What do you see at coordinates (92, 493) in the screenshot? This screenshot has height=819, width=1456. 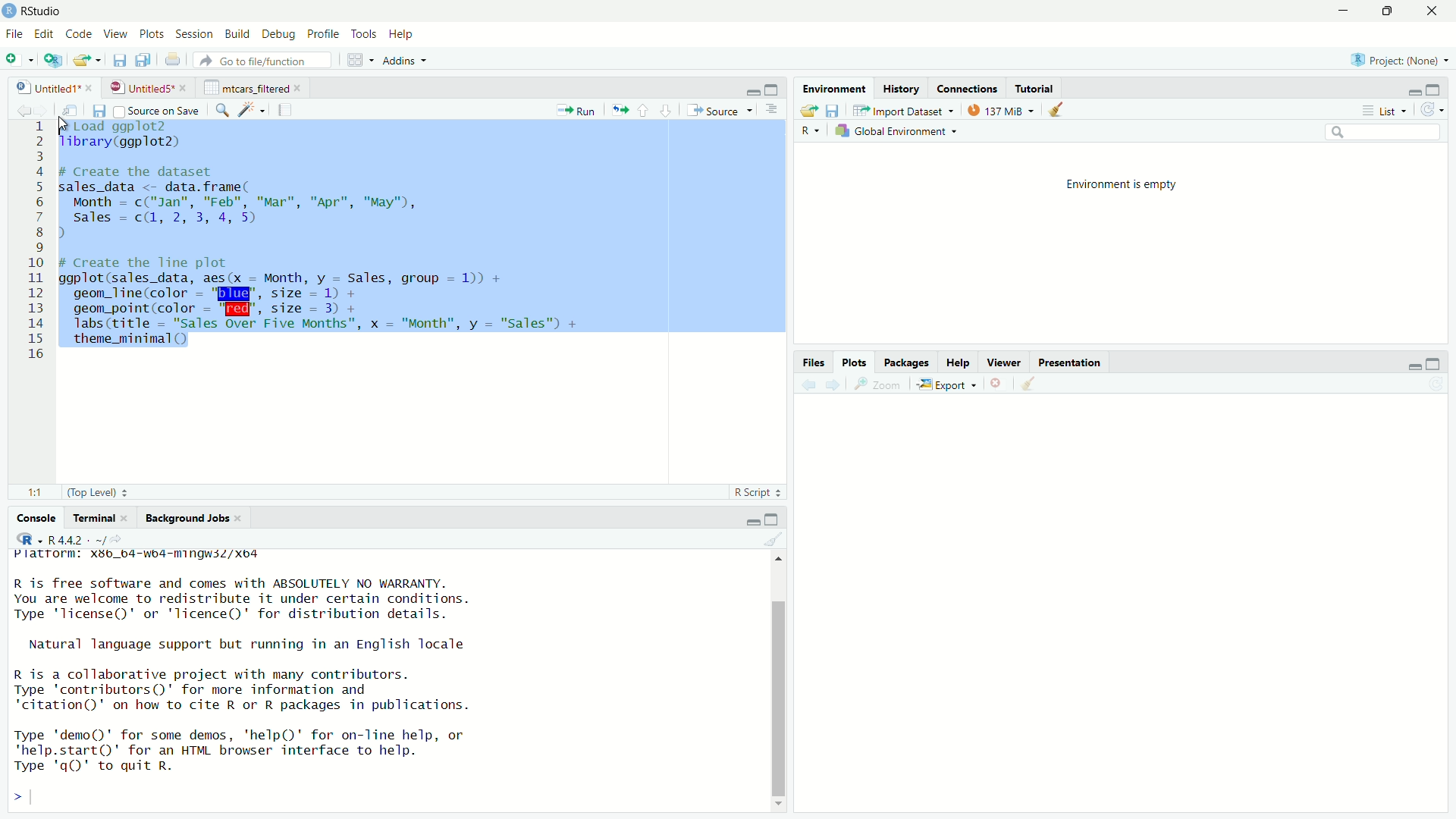 I see `(top leave)` at bounding box center [92, 493].